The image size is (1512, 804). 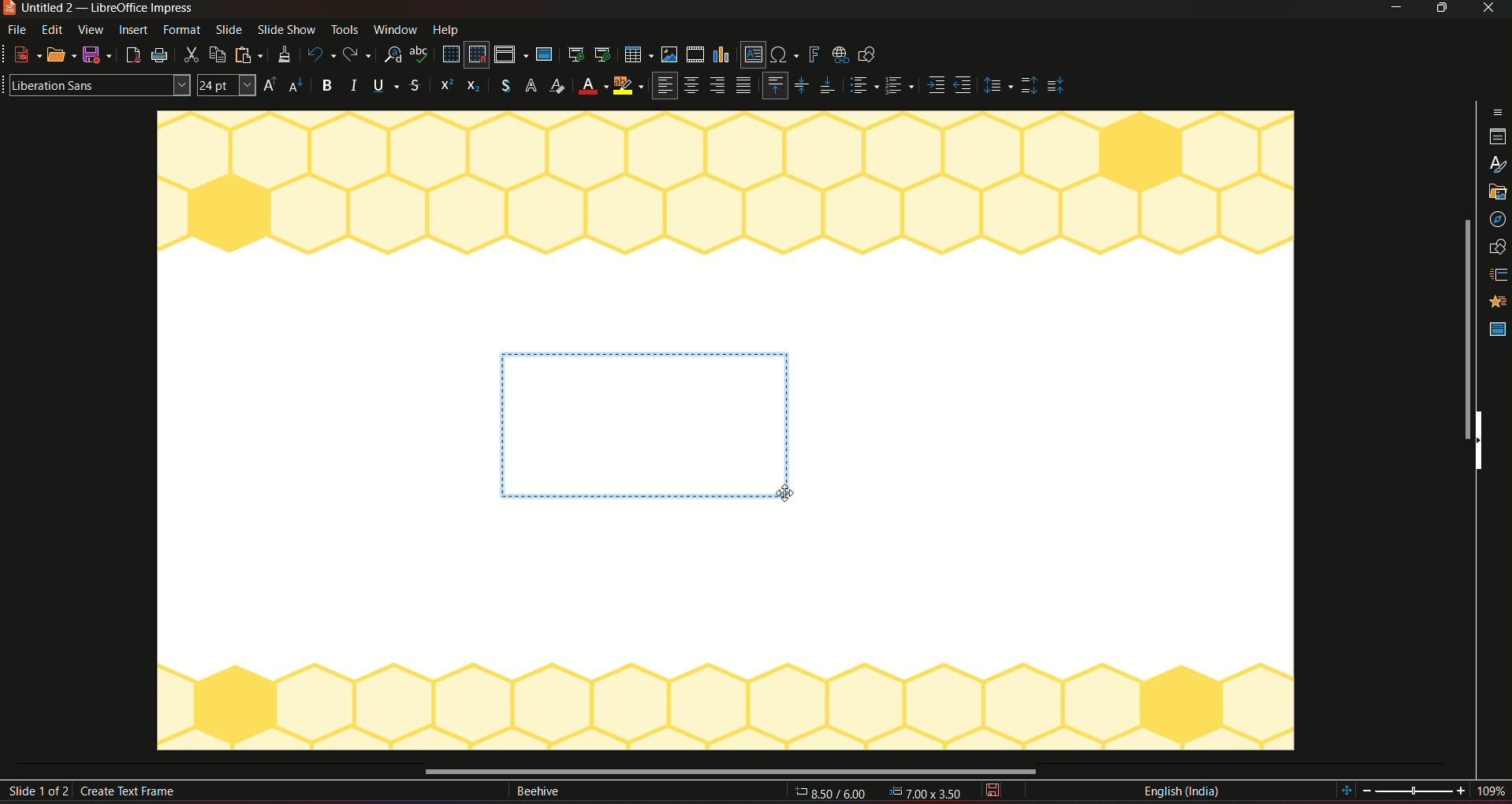 I want to click on insert chart, so click(x=723, y=54).